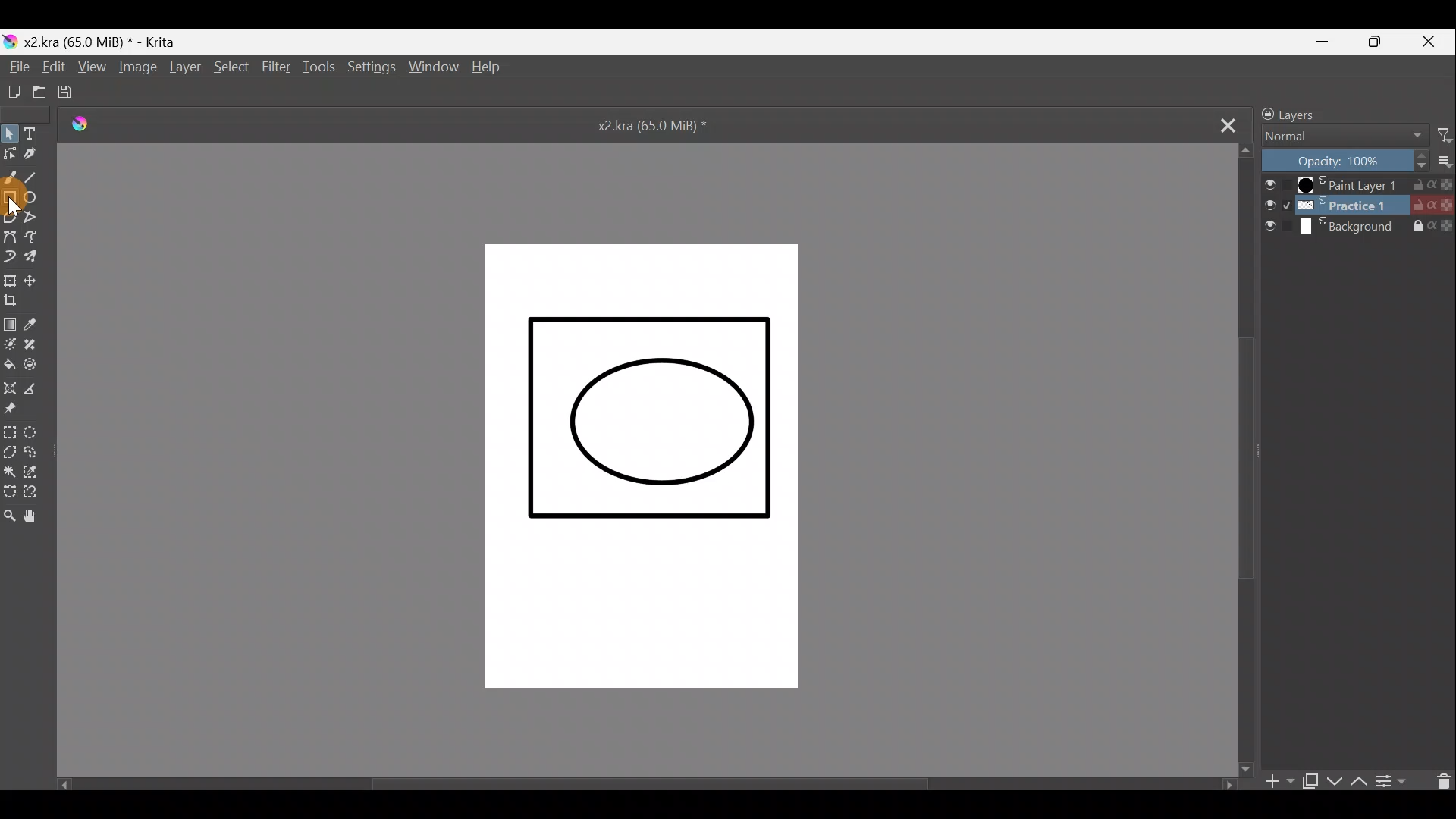 This screenshot has width=1456, height=819. Describe the element at coordinates (1222, 127) in the screenshot. I see `Close tab` at that location.